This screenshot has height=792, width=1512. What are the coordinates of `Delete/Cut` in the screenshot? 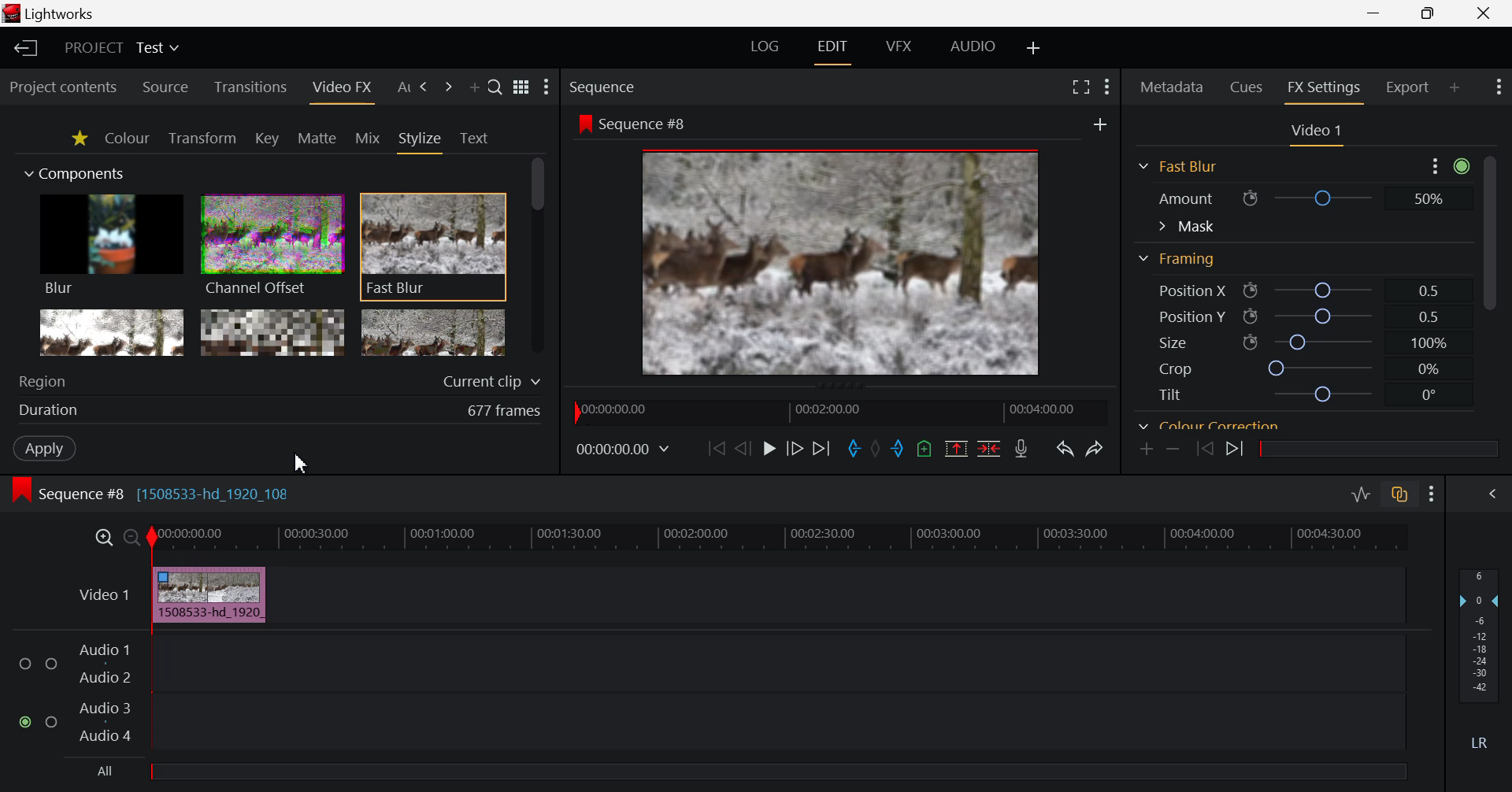 It's located at (991, 449).